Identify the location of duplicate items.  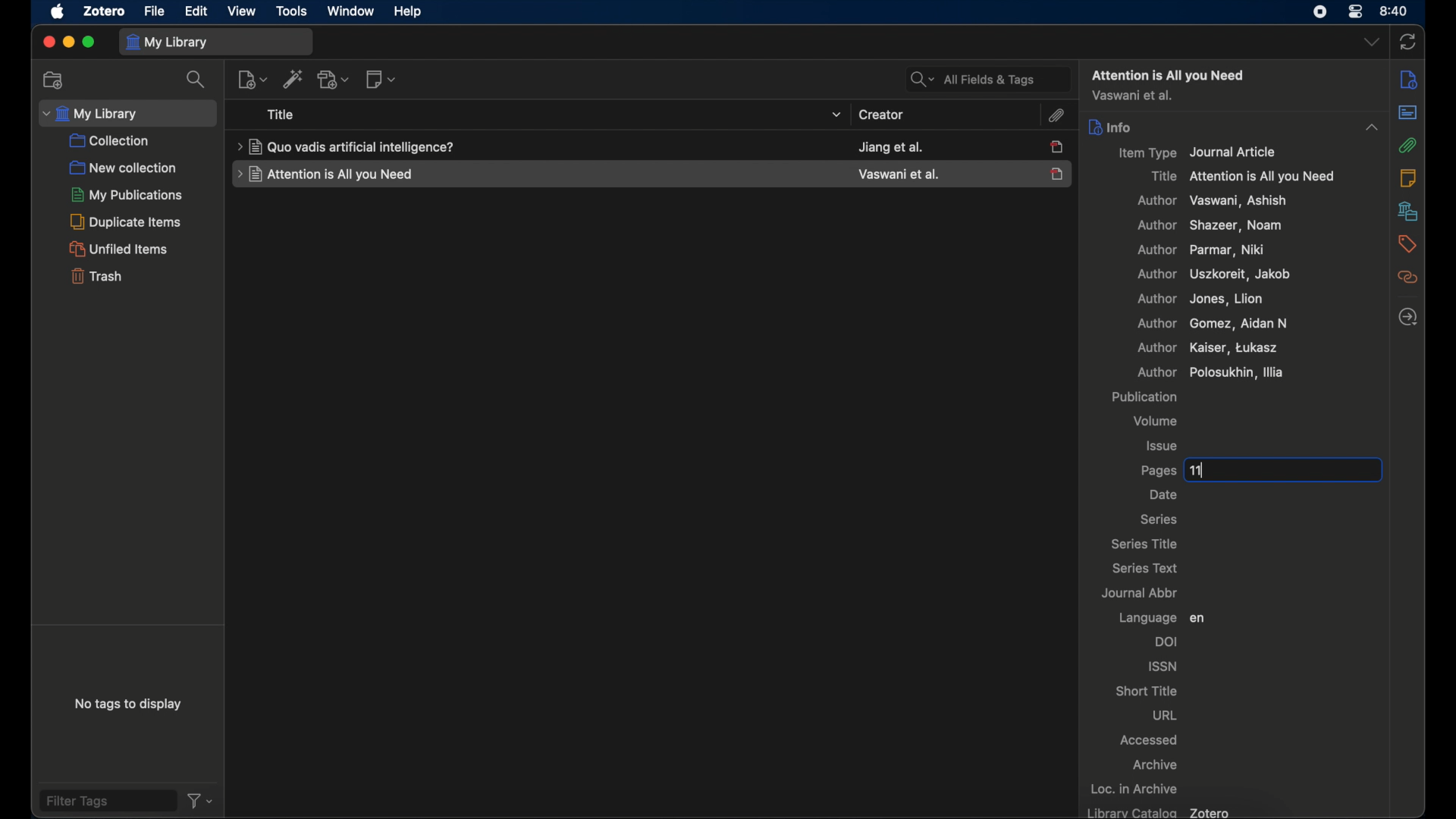
(127, 221).